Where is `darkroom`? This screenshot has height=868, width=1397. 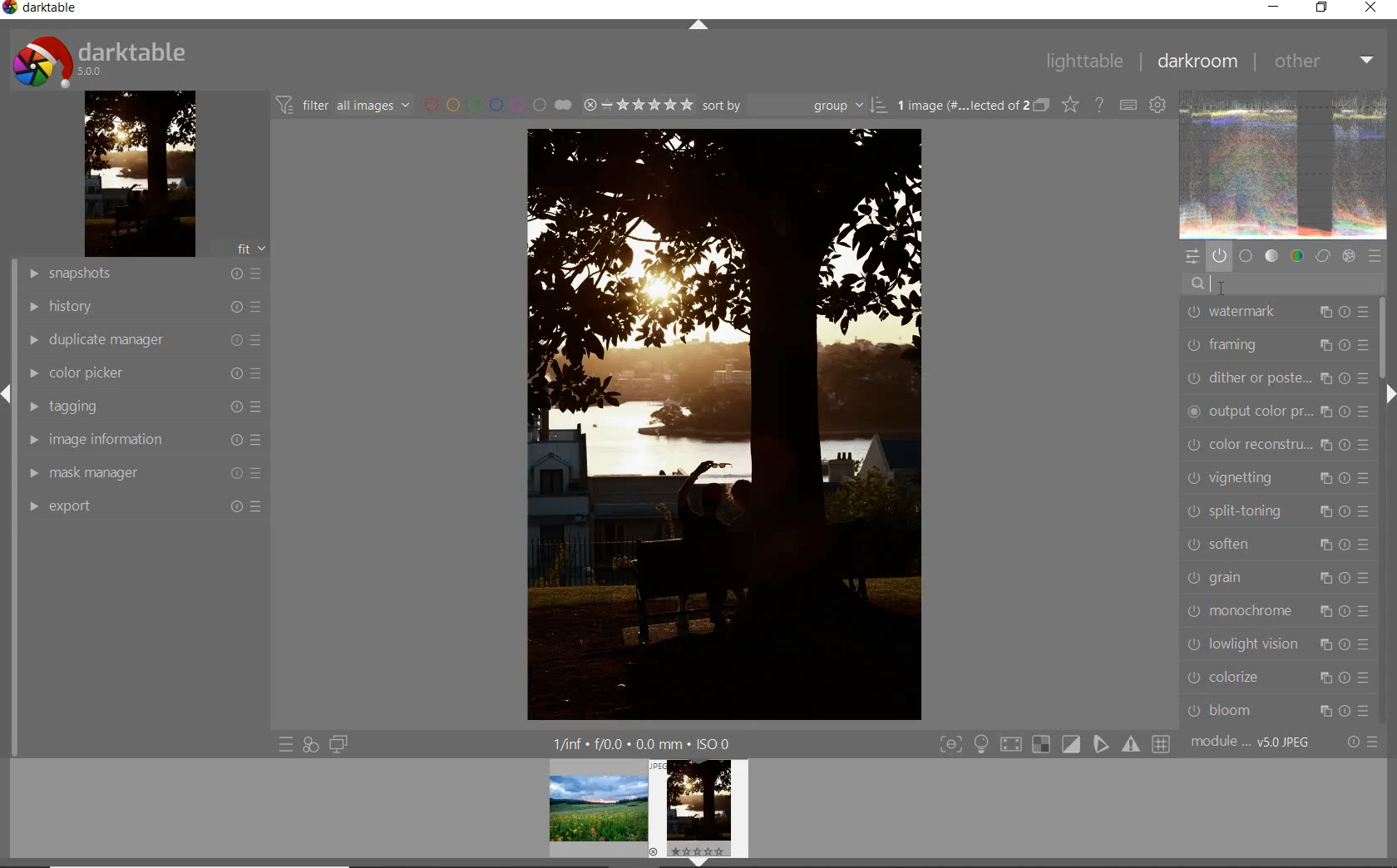
darkroom is located at coordinates (1196, 62).